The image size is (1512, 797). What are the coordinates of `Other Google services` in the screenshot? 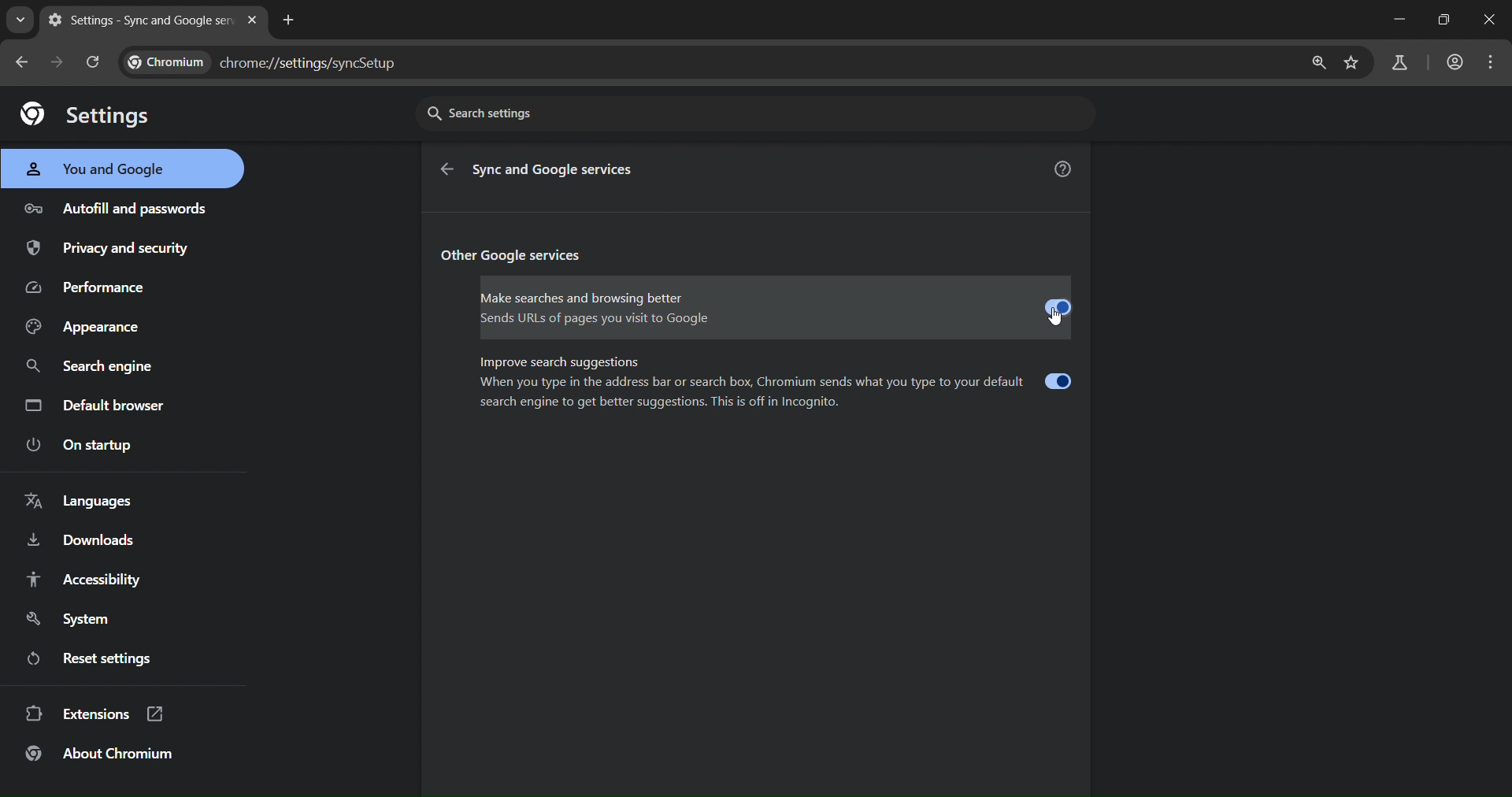 It's located at (515, 257).